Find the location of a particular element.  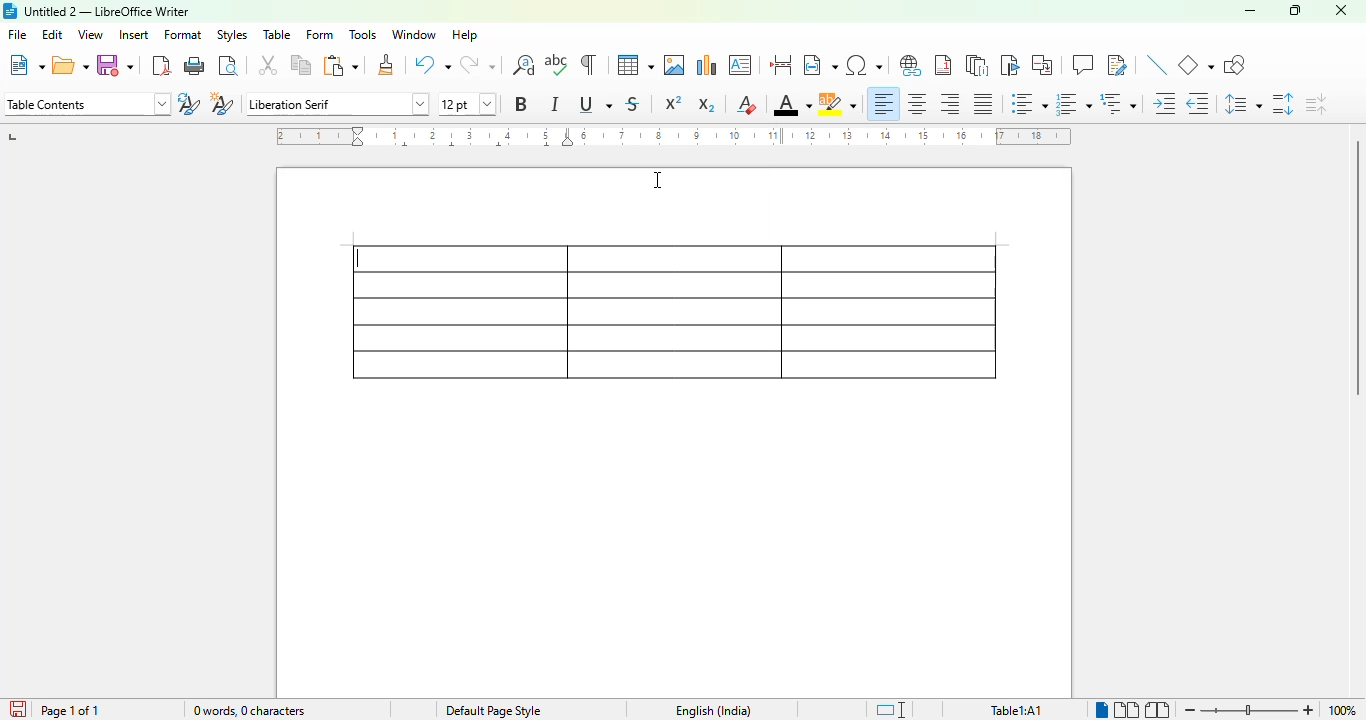

page style is located at coordinates (493, 710).